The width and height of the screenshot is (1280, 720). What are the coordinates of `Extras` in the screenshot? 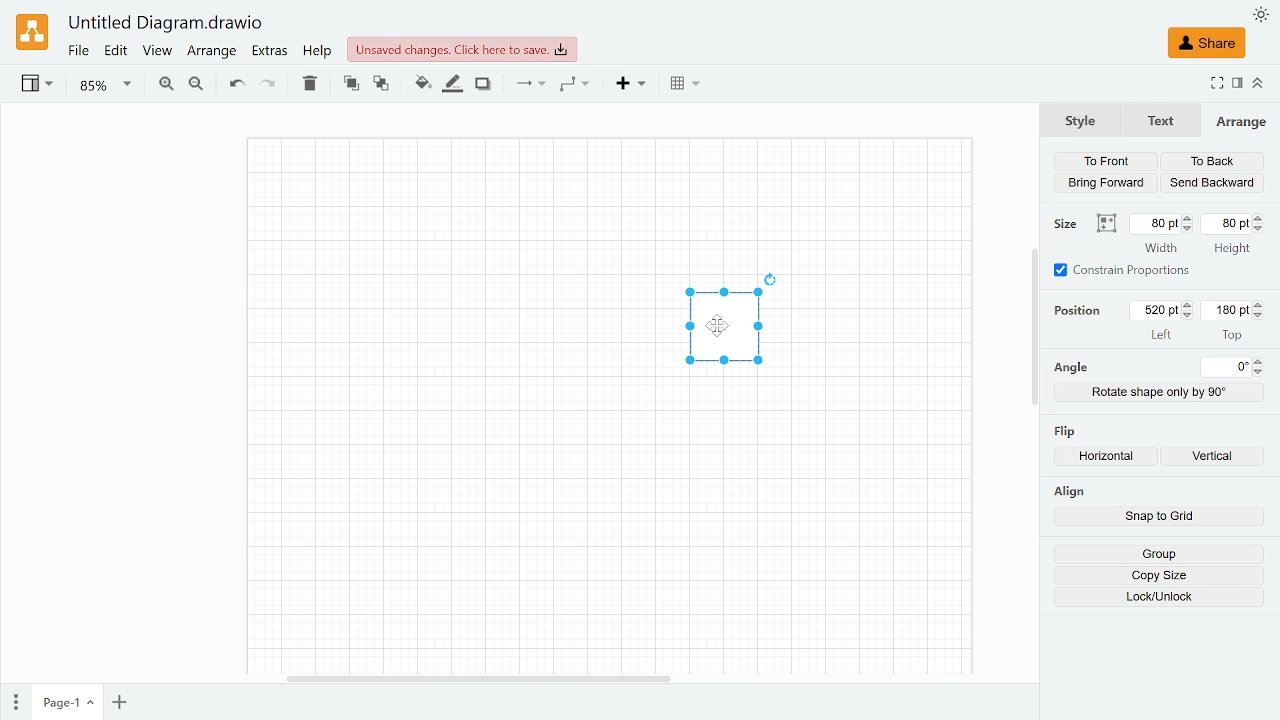 It's located at (271, 52).